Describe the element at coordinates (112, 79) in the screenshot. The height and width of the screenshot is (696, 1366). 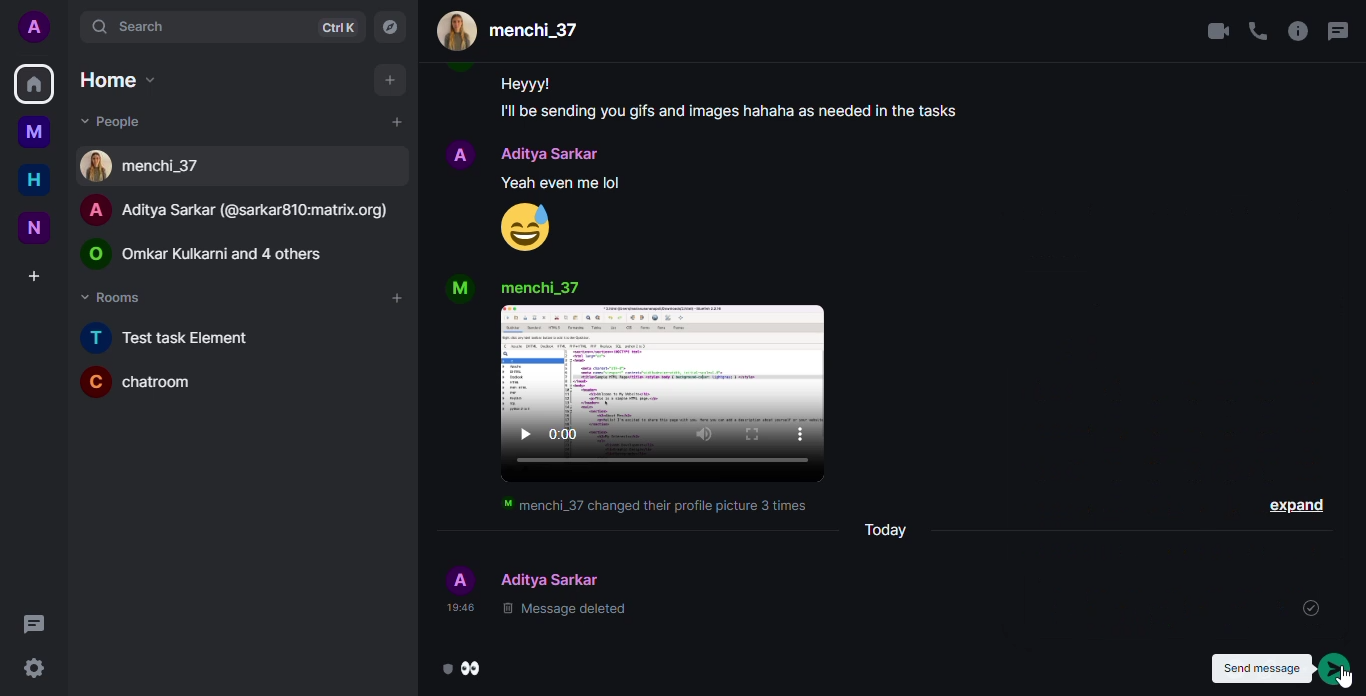
I see `home drop down` at that location.